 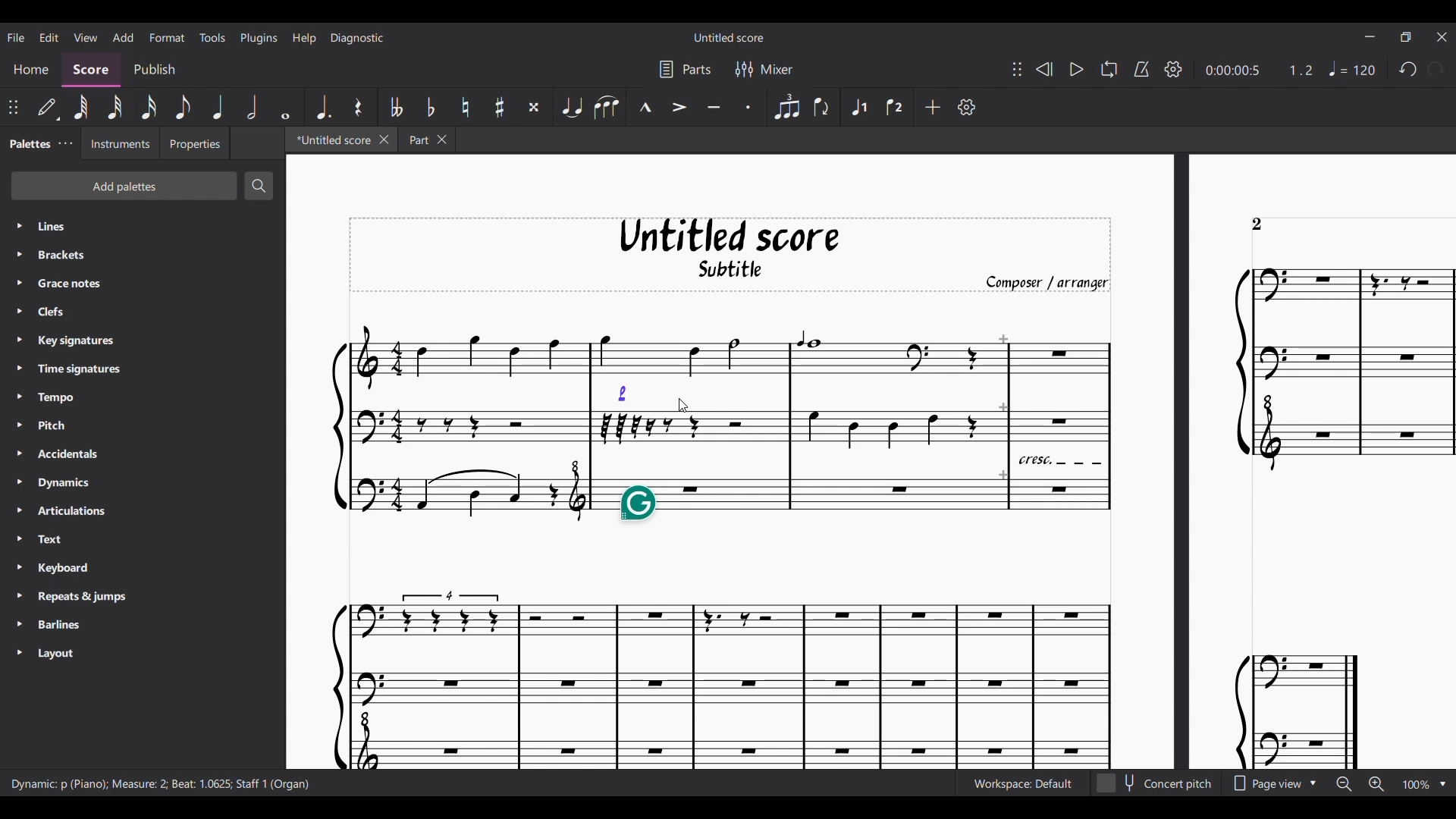 I want to click on Edit menu, so click(x=49, y=36).